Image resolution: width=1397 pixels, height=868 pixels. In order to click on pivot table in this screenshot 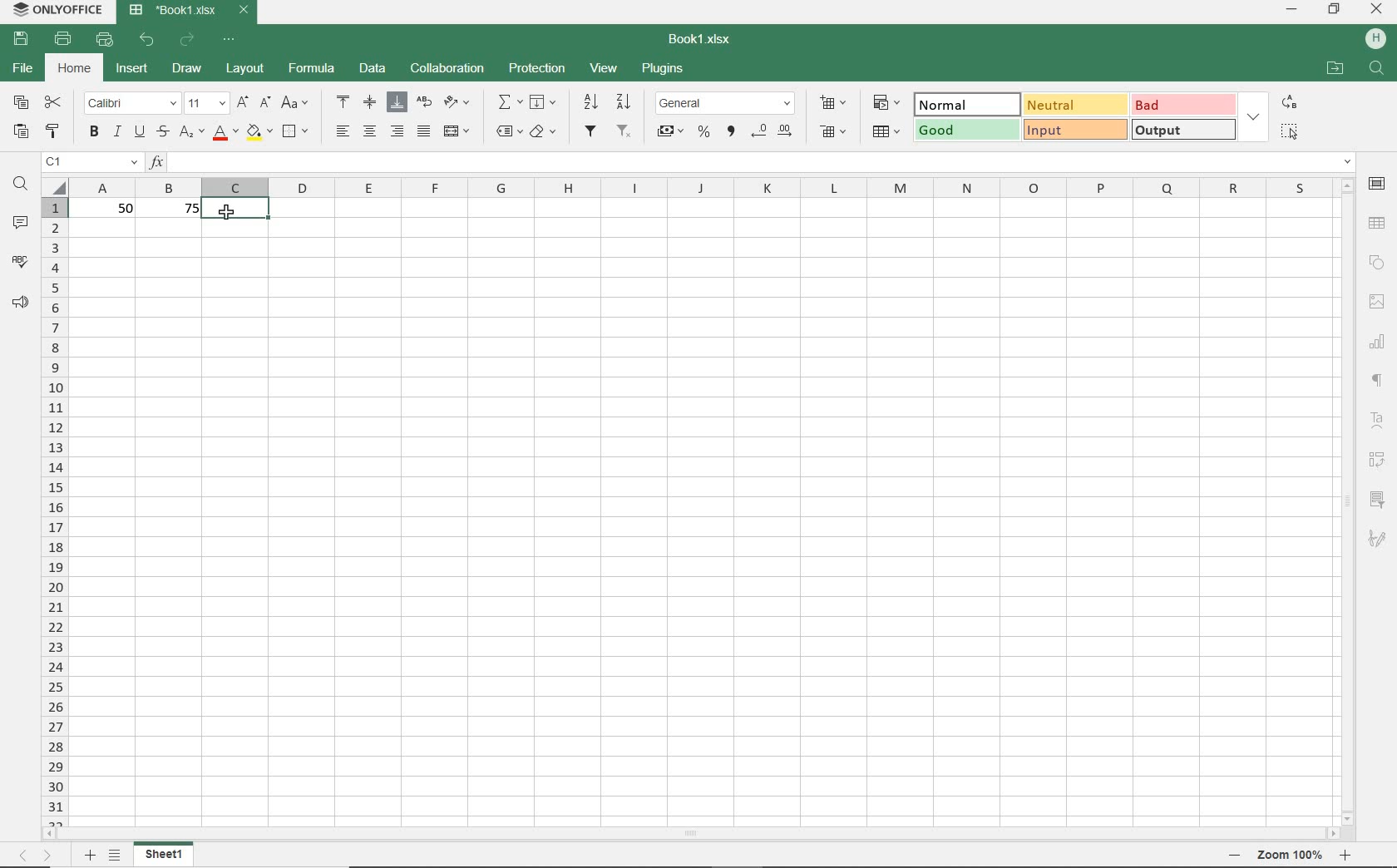, I will do `click(1380, 458)`.